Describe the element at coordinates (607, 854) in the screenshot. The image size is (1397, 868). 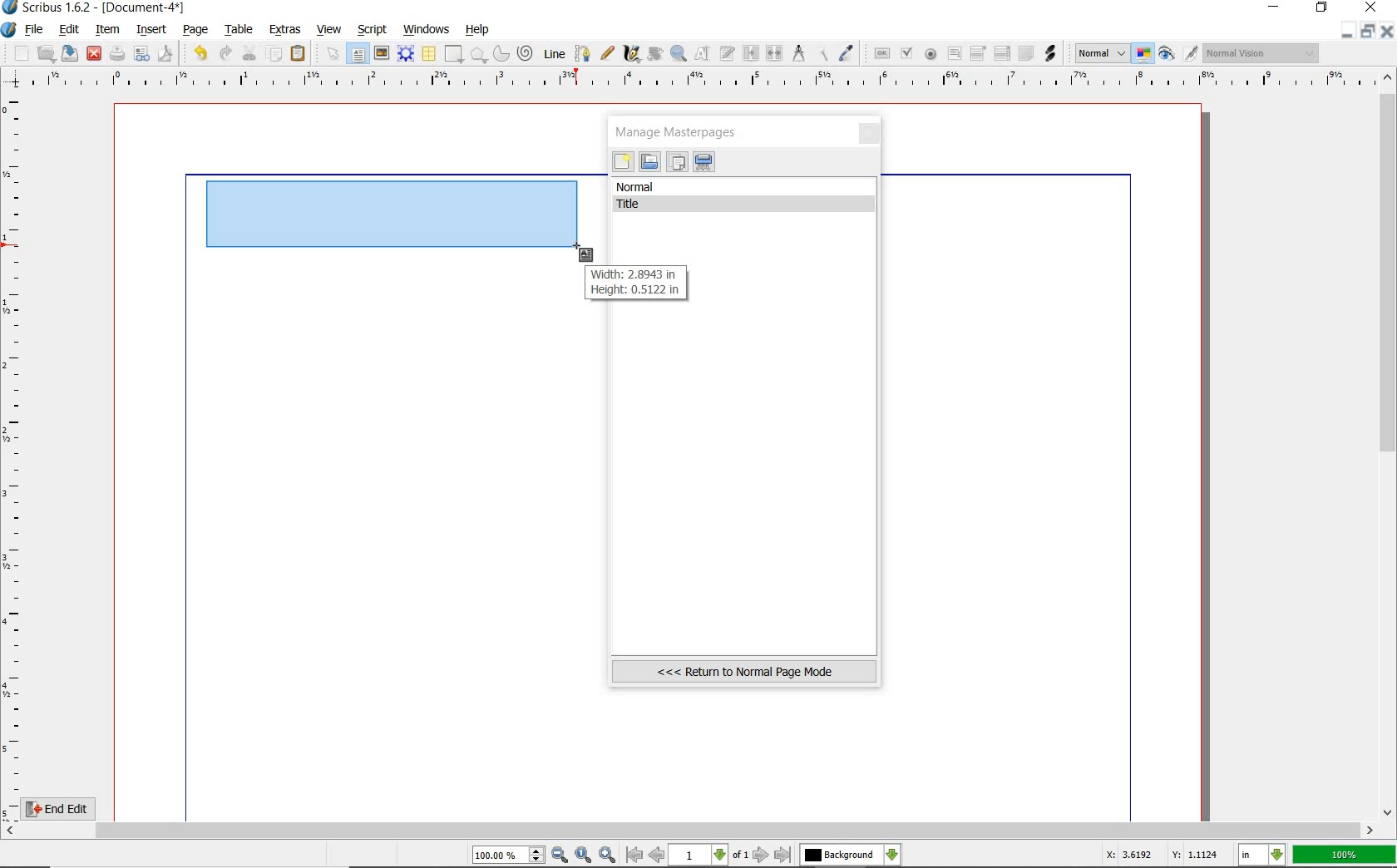
I see `zoom in` at that location.